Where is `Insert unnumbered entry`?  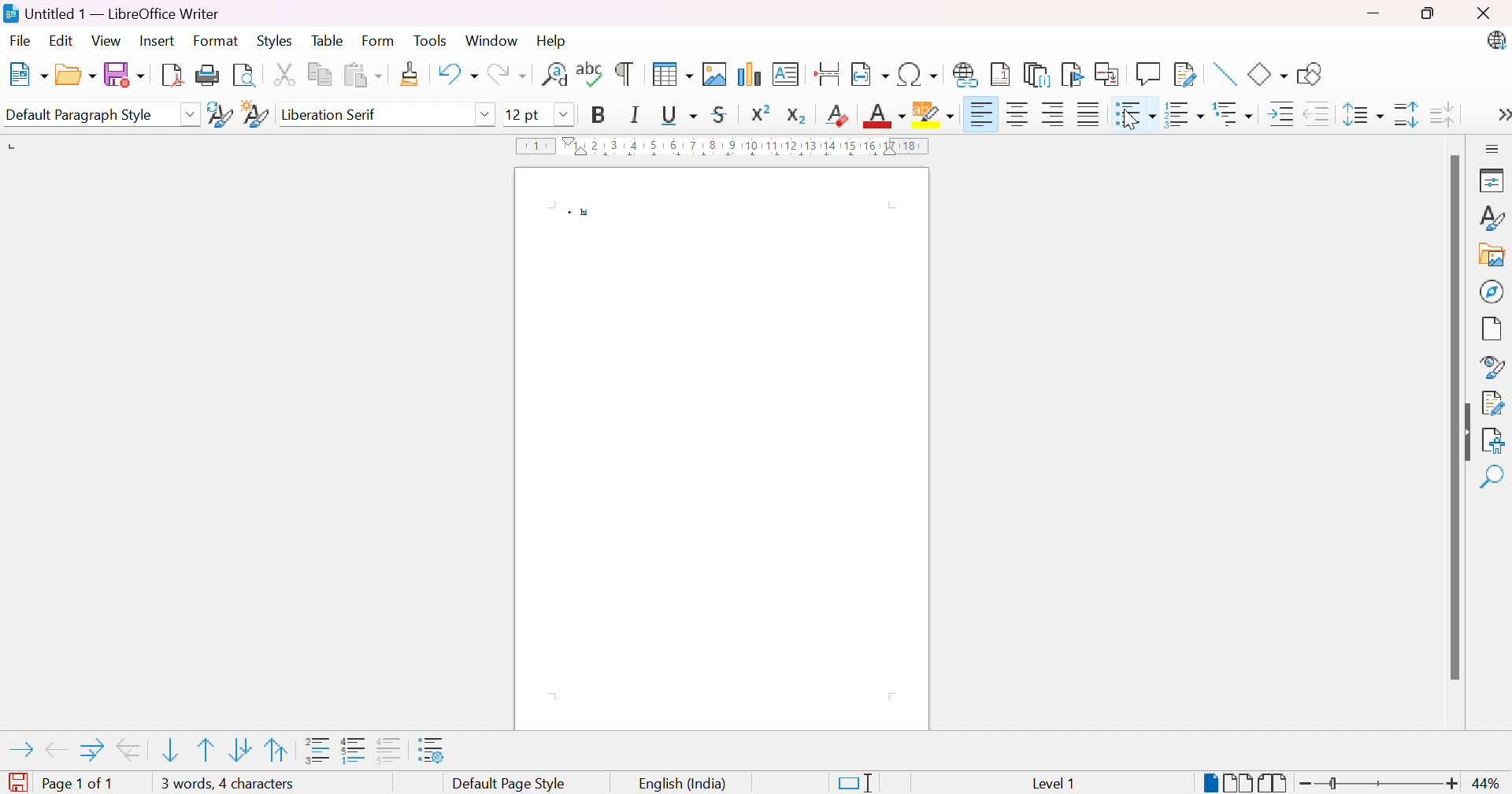
Insert unnumbered entry is located at coordinates (319, 751).